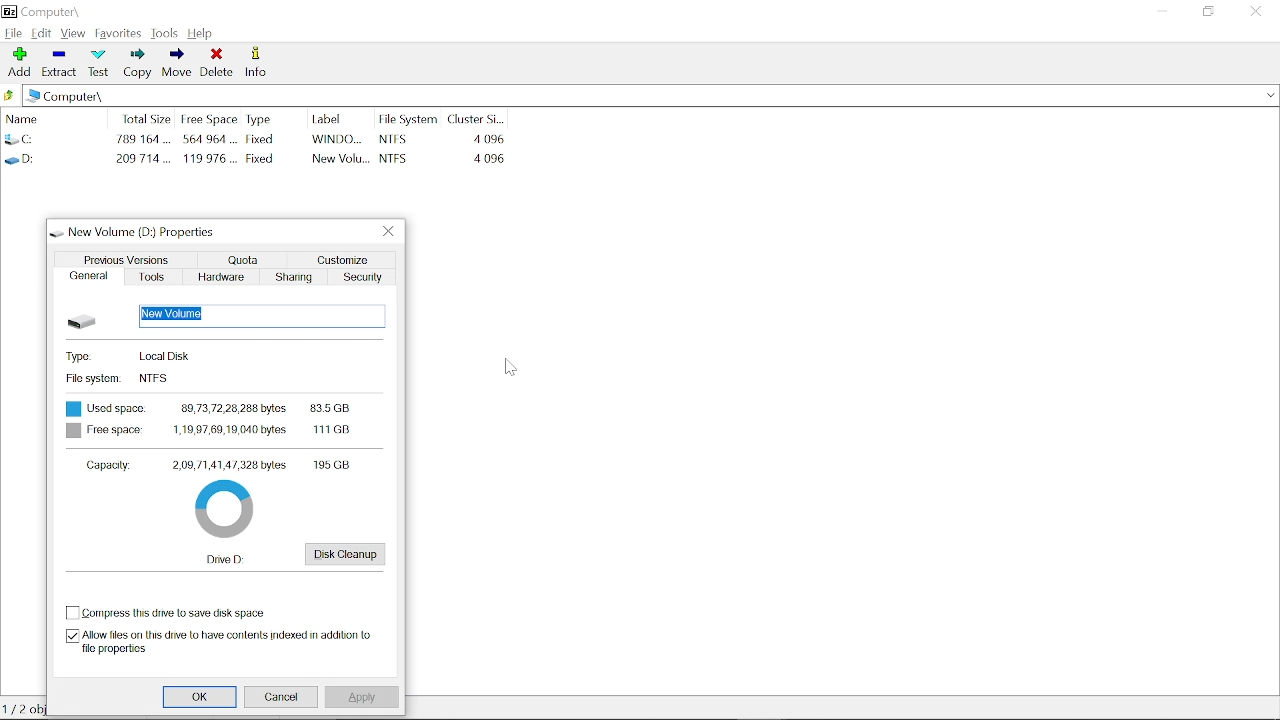 This screenshot has width=1280, height=720. I want to click on Computer\, so click(51, 12).